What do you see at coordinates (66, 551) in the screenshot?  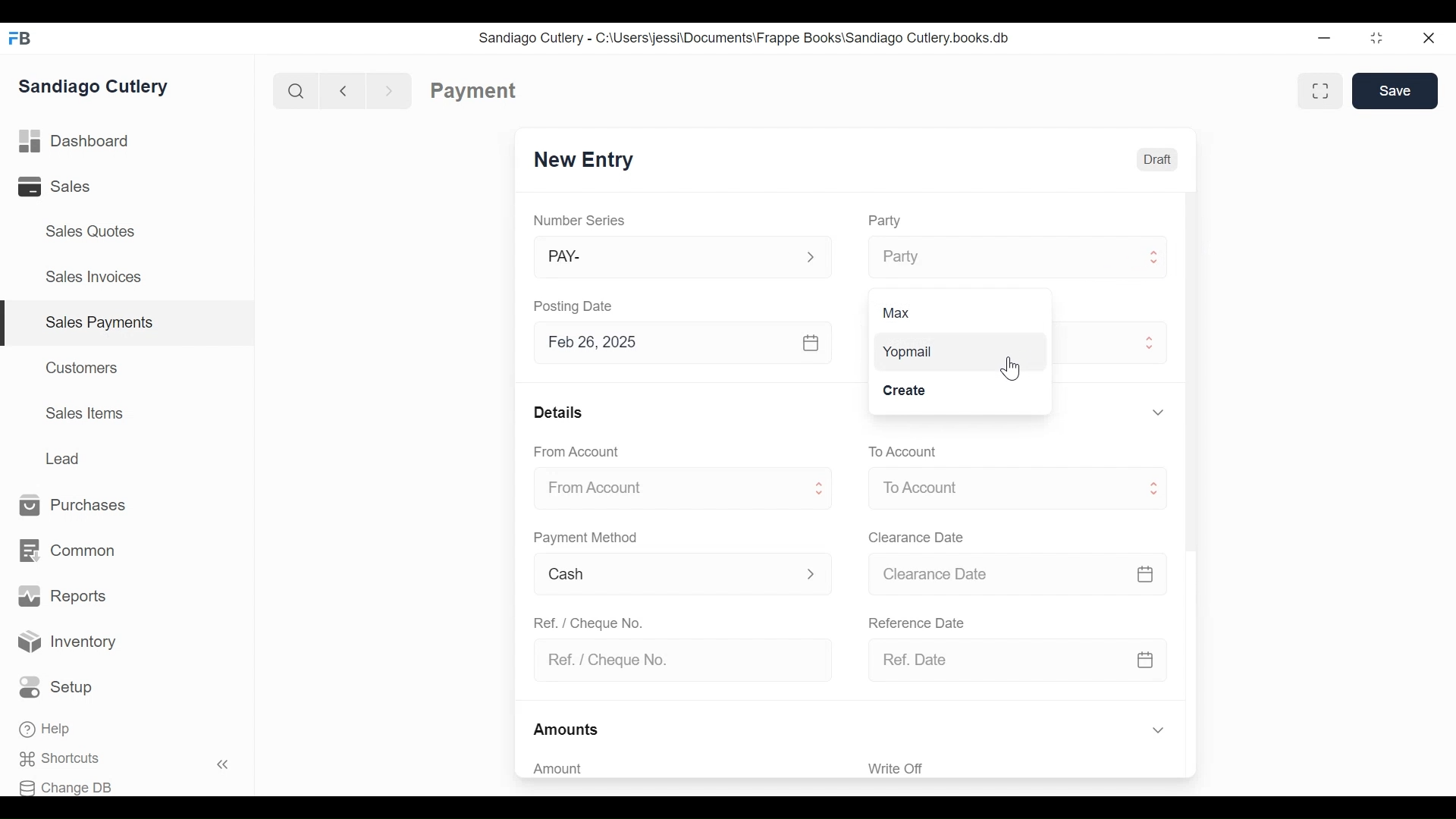 I see `Common` at bounding box center [66, 551].